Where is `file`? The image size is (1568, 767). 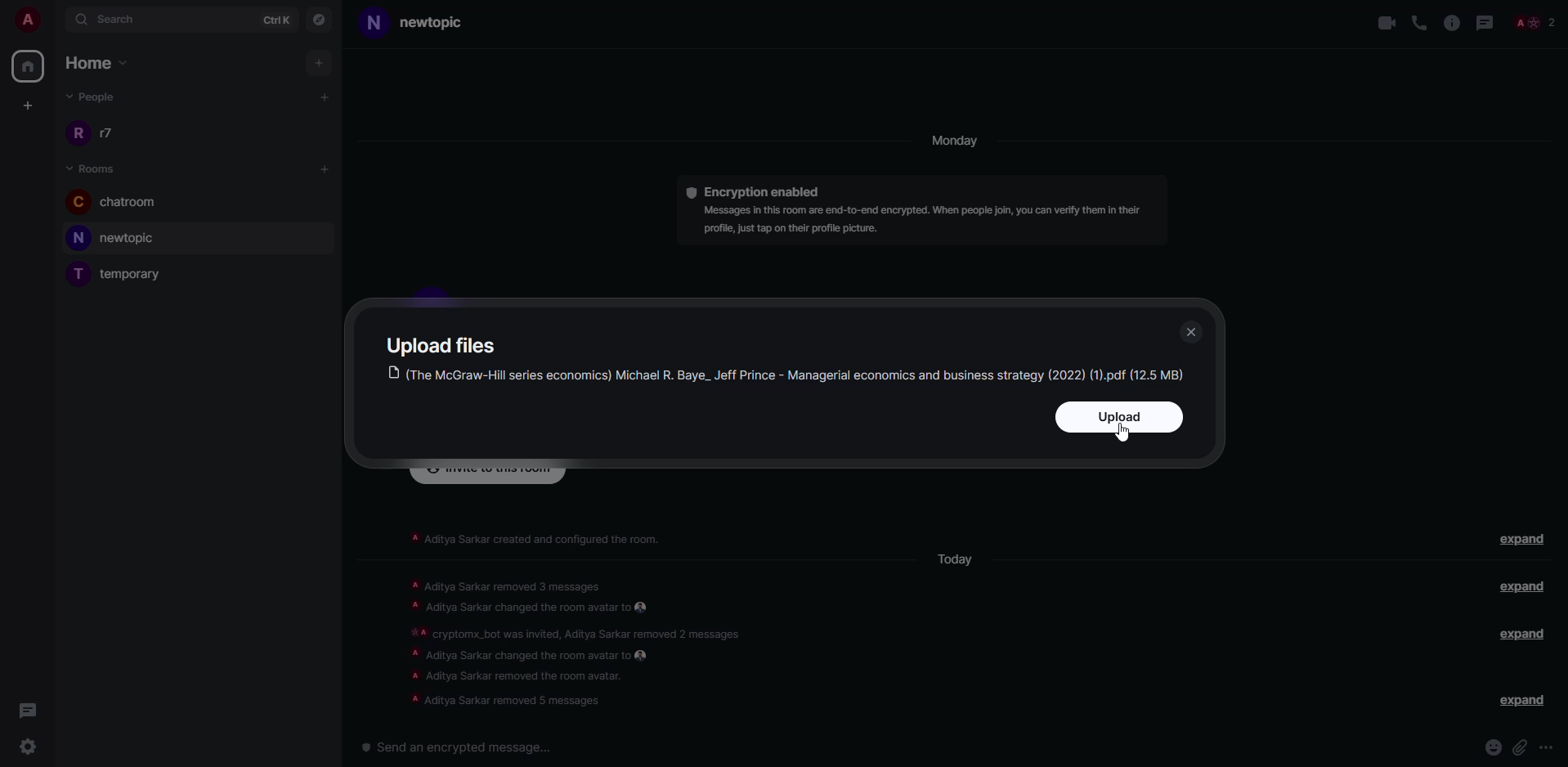 file is located at coordinates (787, 374).